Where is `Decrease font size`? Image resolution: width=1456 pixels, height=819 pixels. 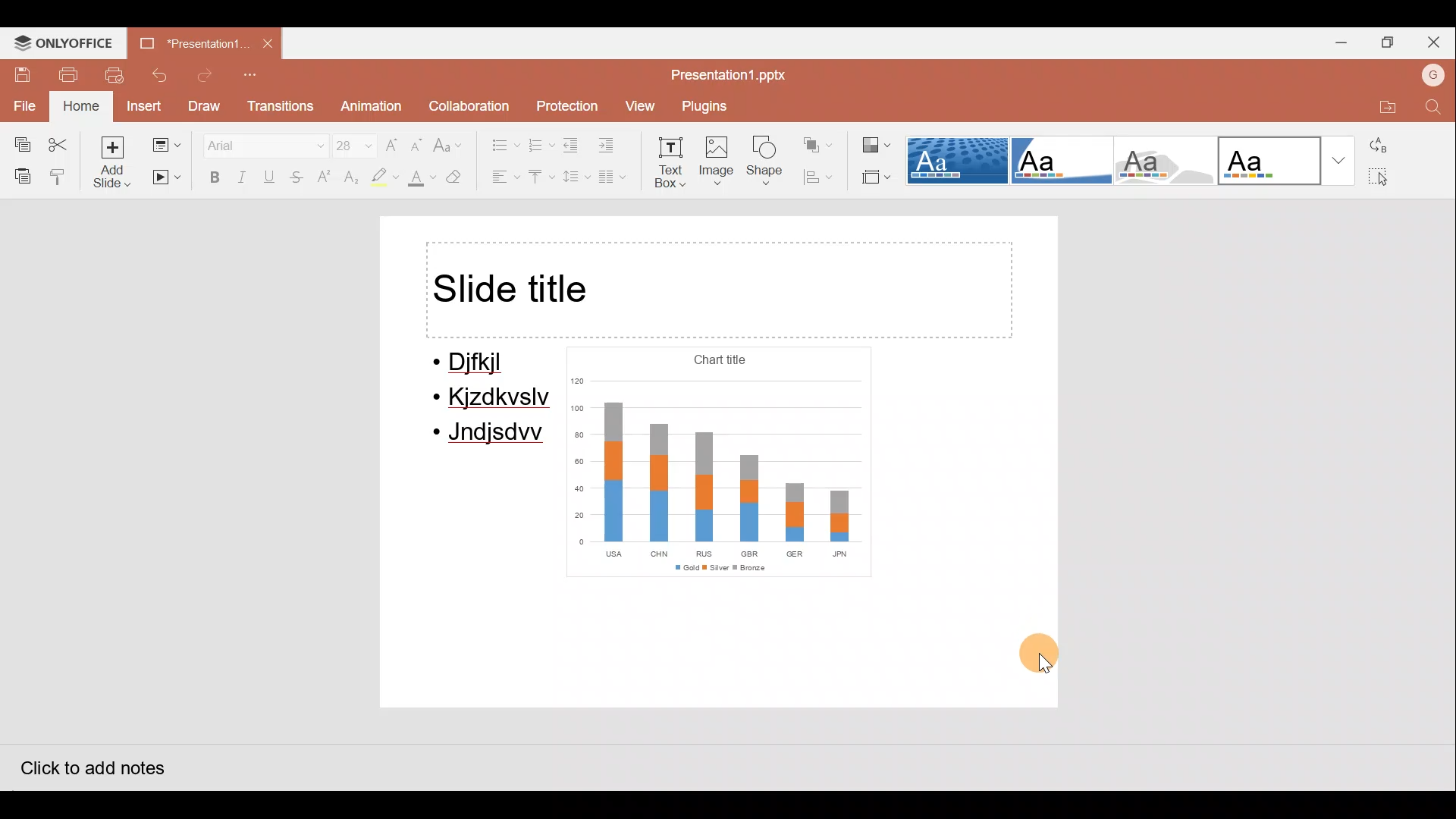
Decrease font size is located at coordinates (416, 143).